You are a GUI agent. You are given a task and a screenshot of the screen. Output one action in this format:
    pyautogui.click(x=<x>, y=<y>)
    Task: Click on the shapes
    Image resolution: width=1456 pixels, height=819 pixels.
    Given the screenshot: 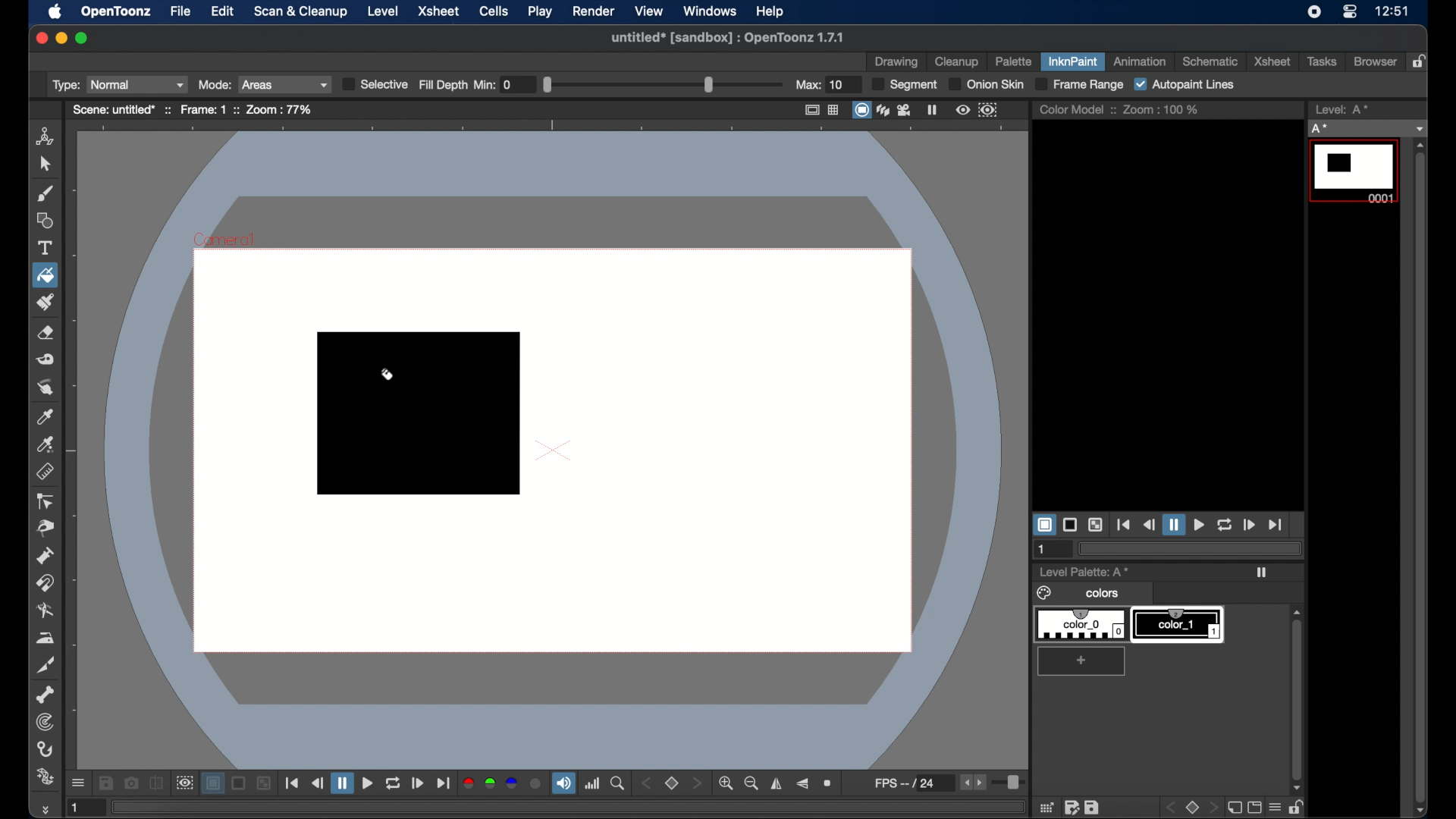 What is the action you would take?
    pyautogui.click(x=46, y=221)
    